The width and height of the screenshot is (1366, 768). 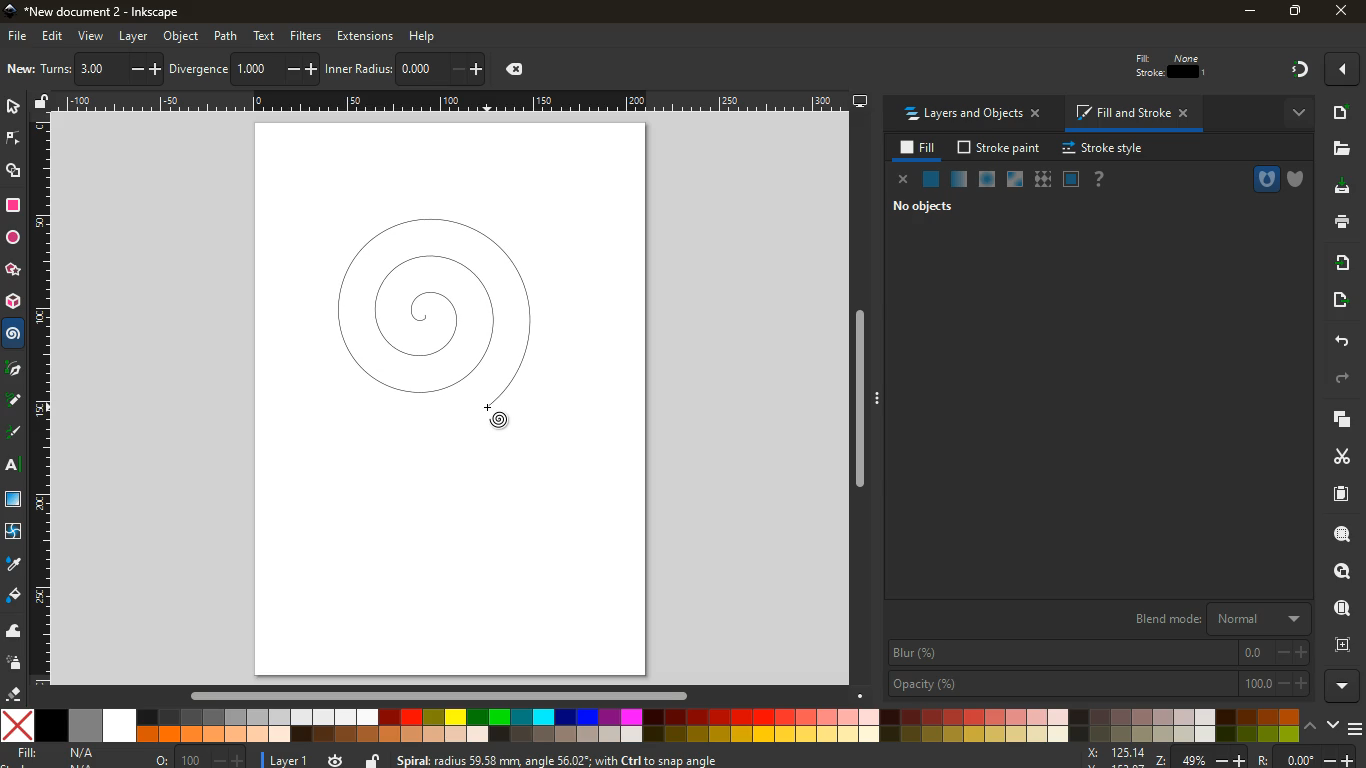 I want to click on , so click(x=15, y=369).